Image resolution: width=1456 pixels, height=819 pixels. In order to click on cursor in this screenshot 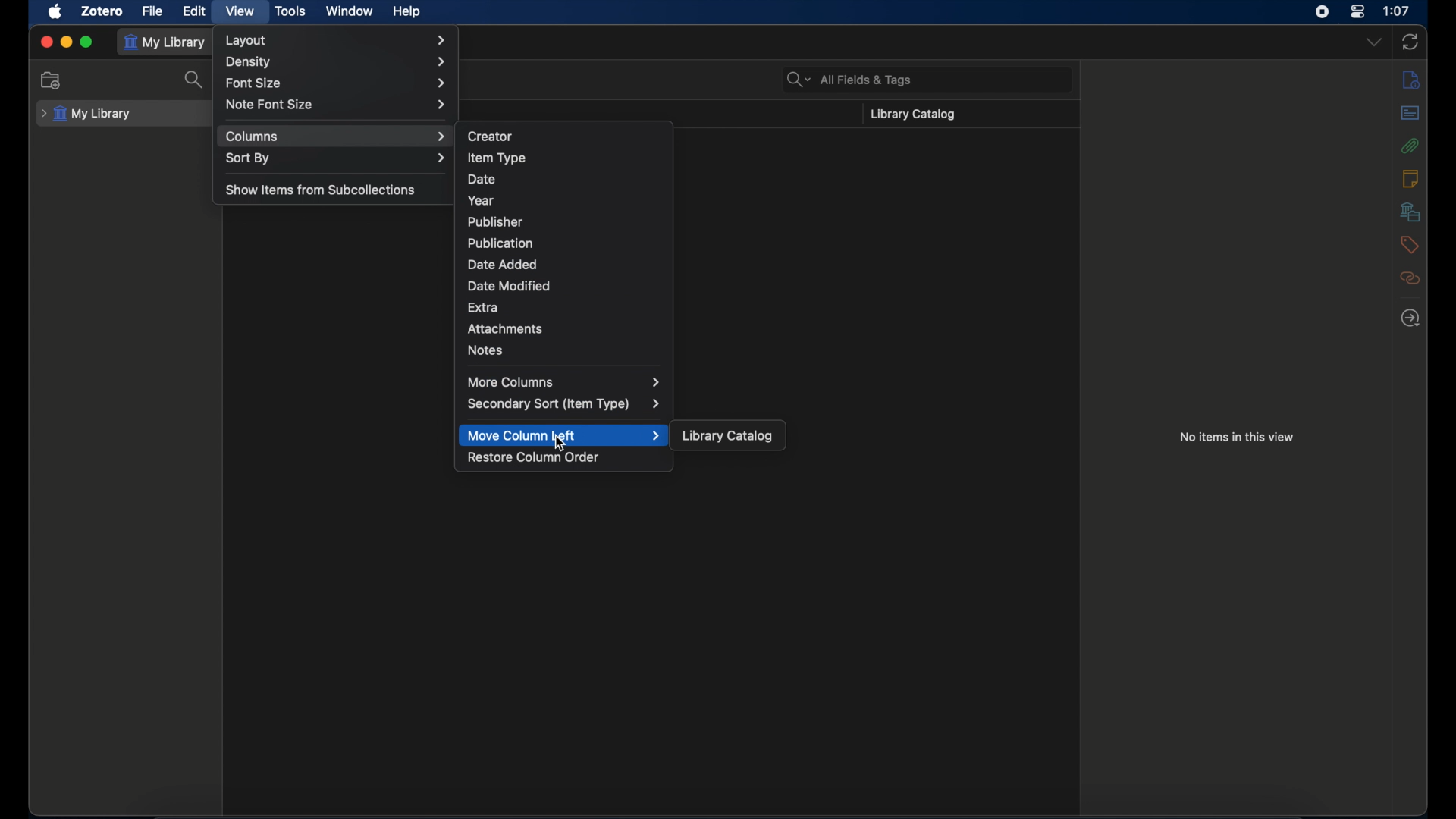, I will do `click(561, 444)`.